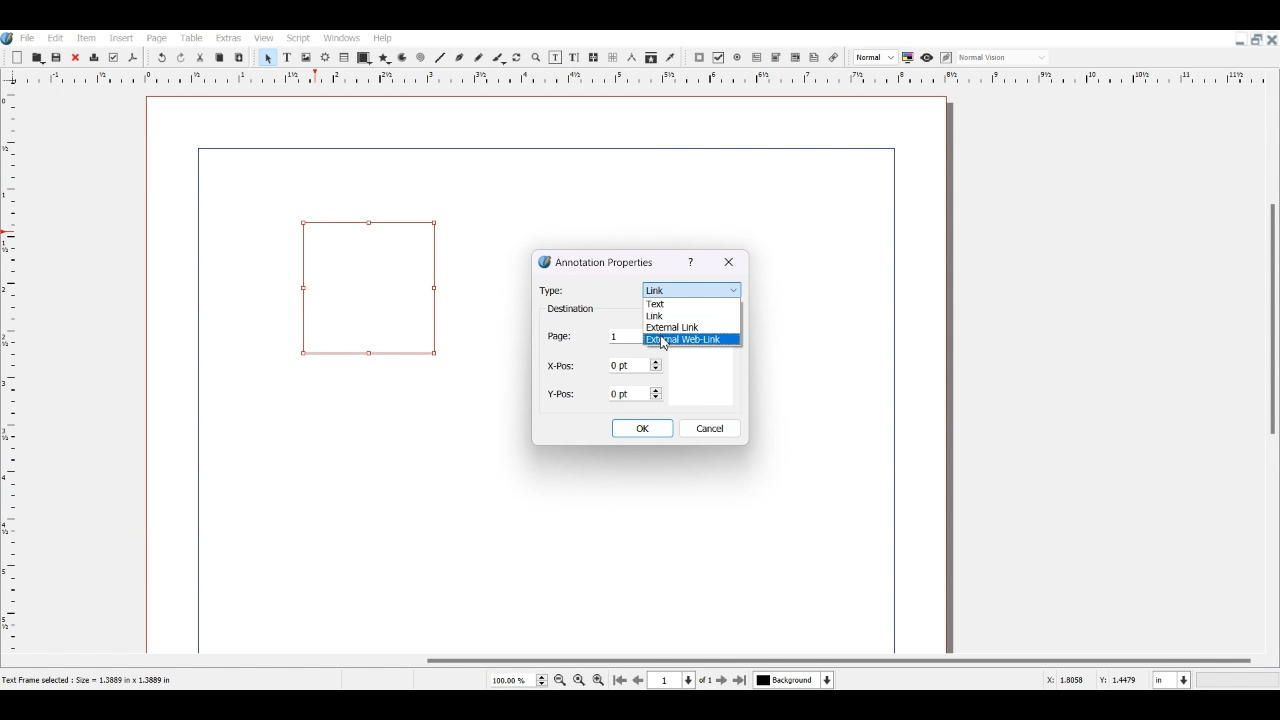 The image size is (1280, 720). What do you see at coordinates (631, 58) in the screenshot?
I see `Measurements` at bounding box center [631, 58].